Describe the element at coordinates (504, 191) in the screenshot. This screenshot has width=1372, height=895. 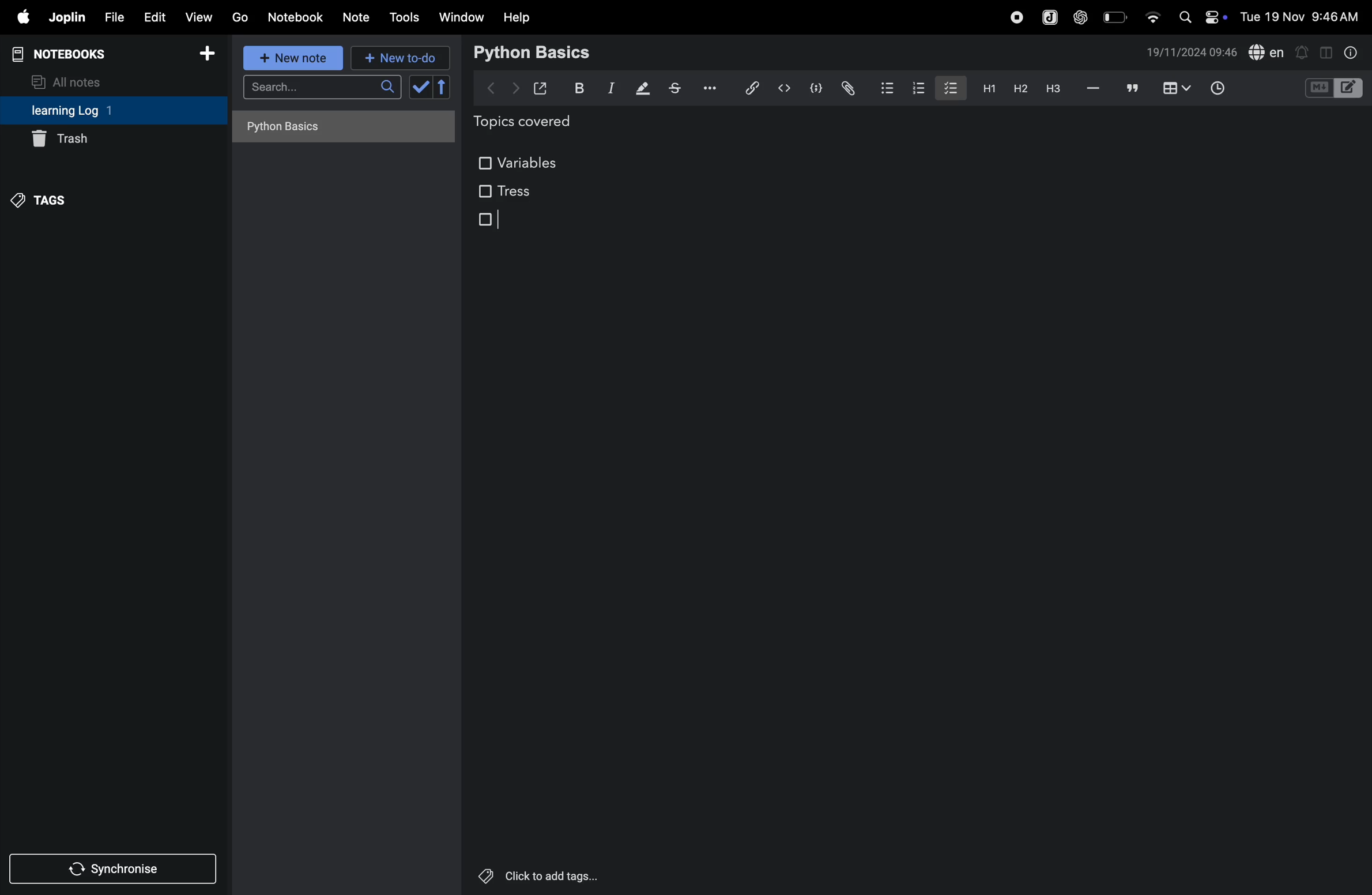
I see `tress` at that location.